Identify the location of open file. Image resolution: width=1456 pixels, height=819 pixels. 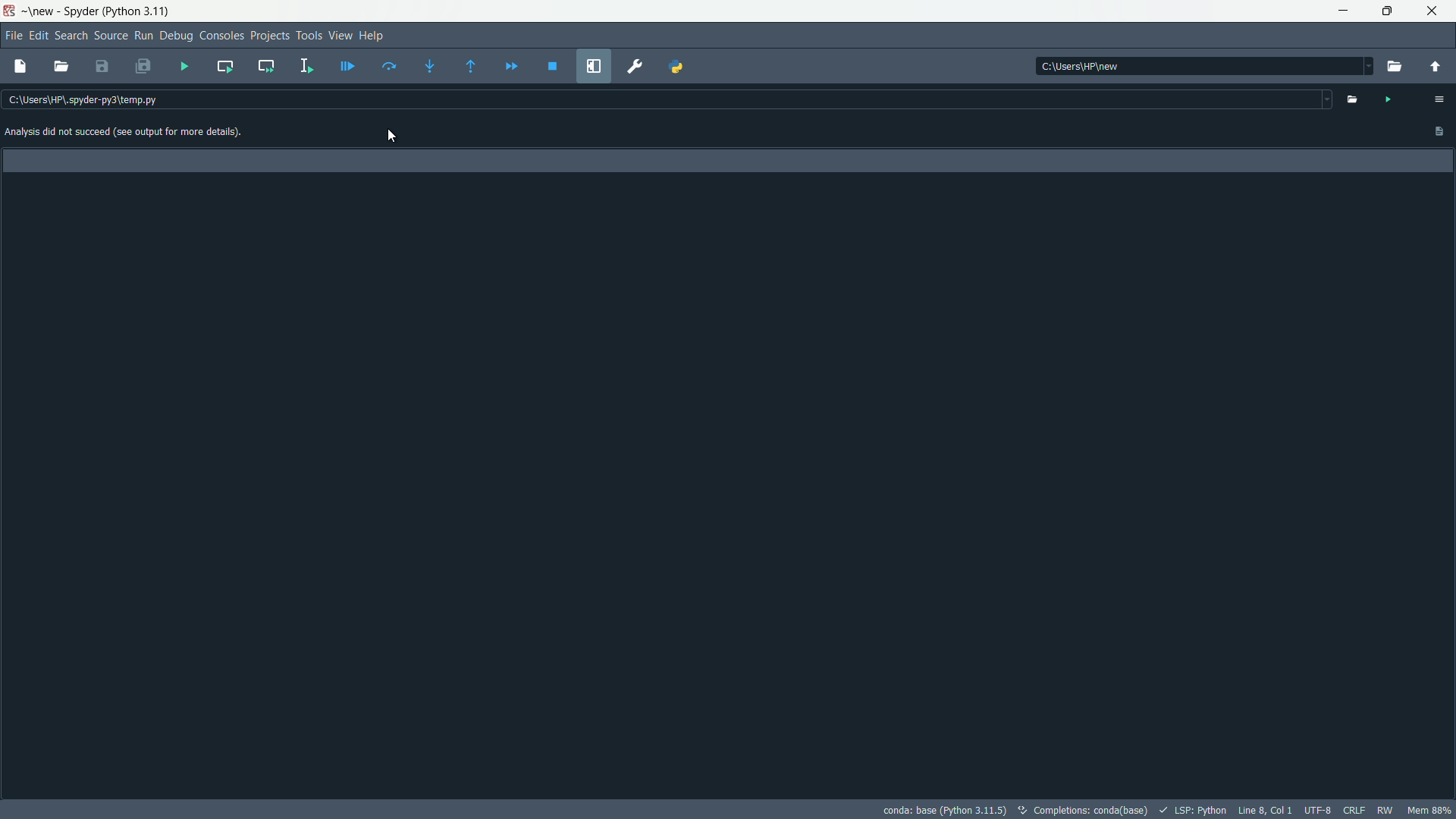
(62, 67).